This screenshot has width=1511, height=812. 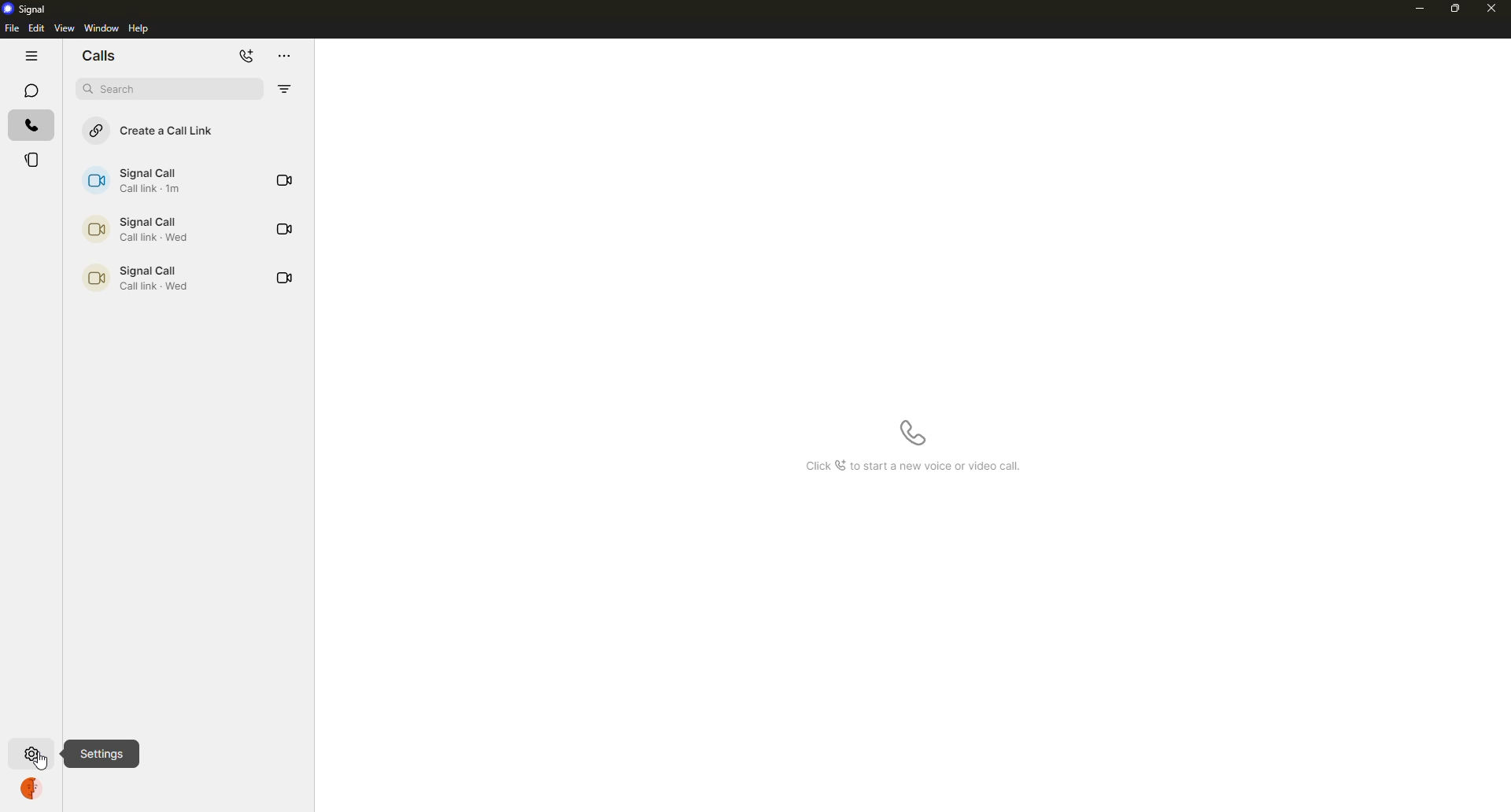 I want to click on minimize, so click(x=1418, y=10).